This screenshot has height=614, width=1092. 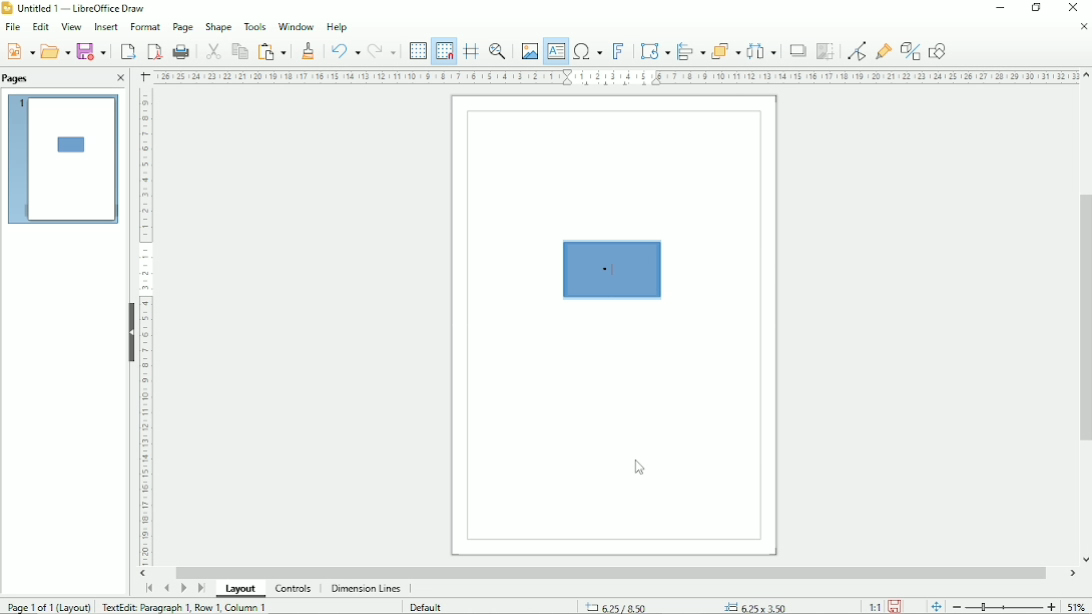 I want to click on Horizontal scrollbar, so click(x=612, y=571).